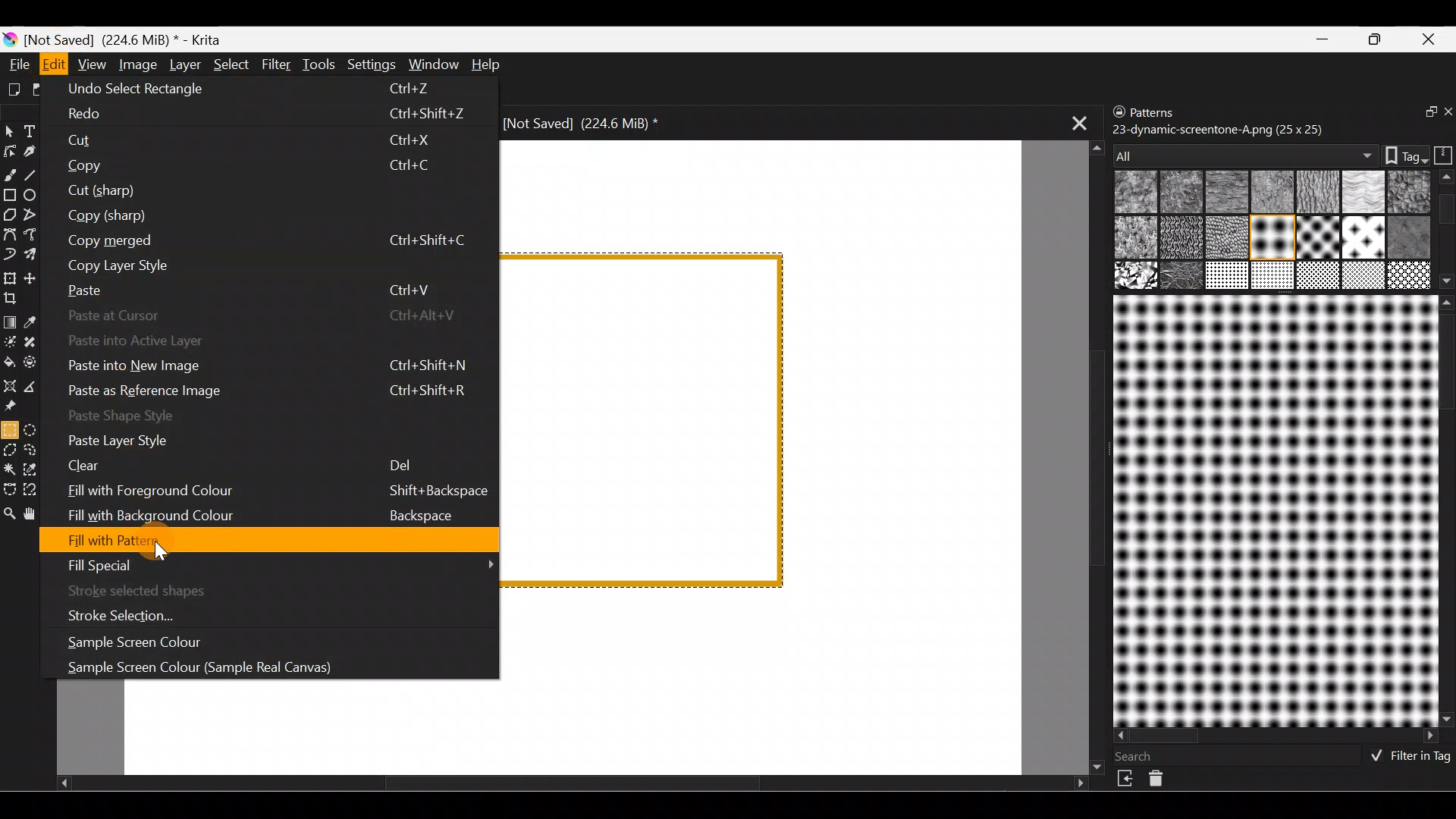  I want to click on Polyline tool, so click(32, 215).